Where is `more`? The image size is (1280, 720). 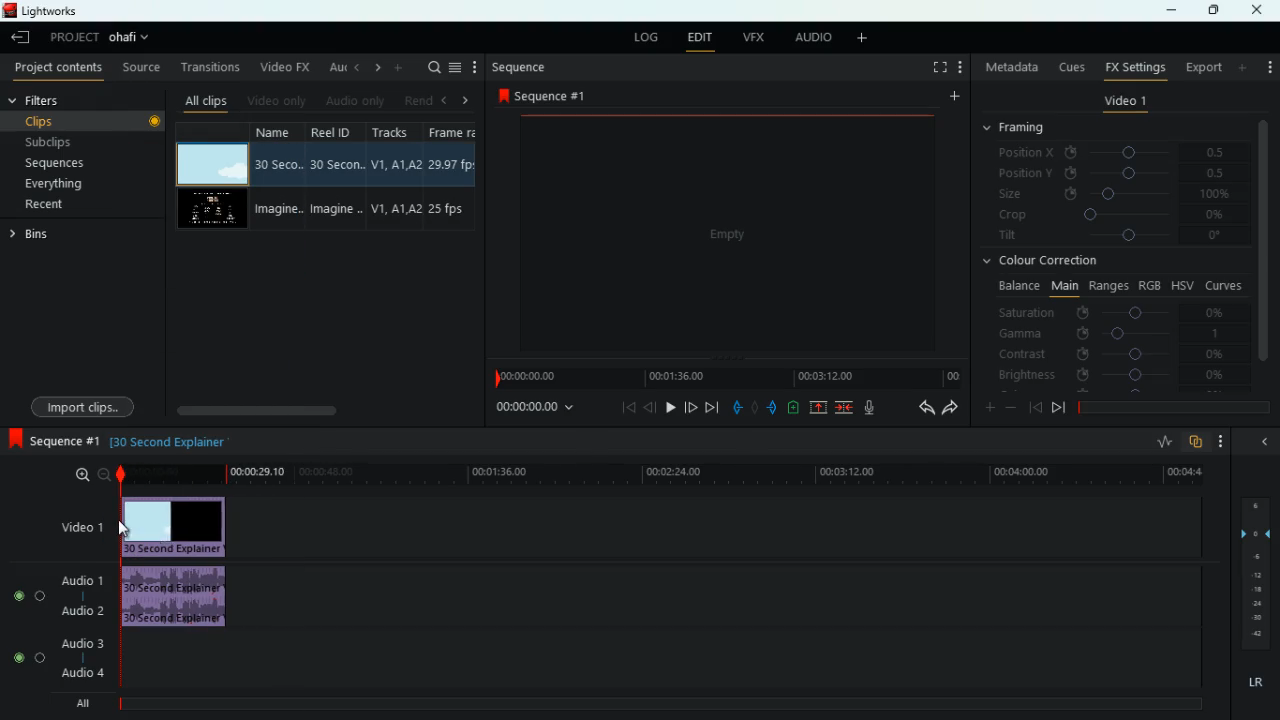
more is located at coordinates (960, 67).